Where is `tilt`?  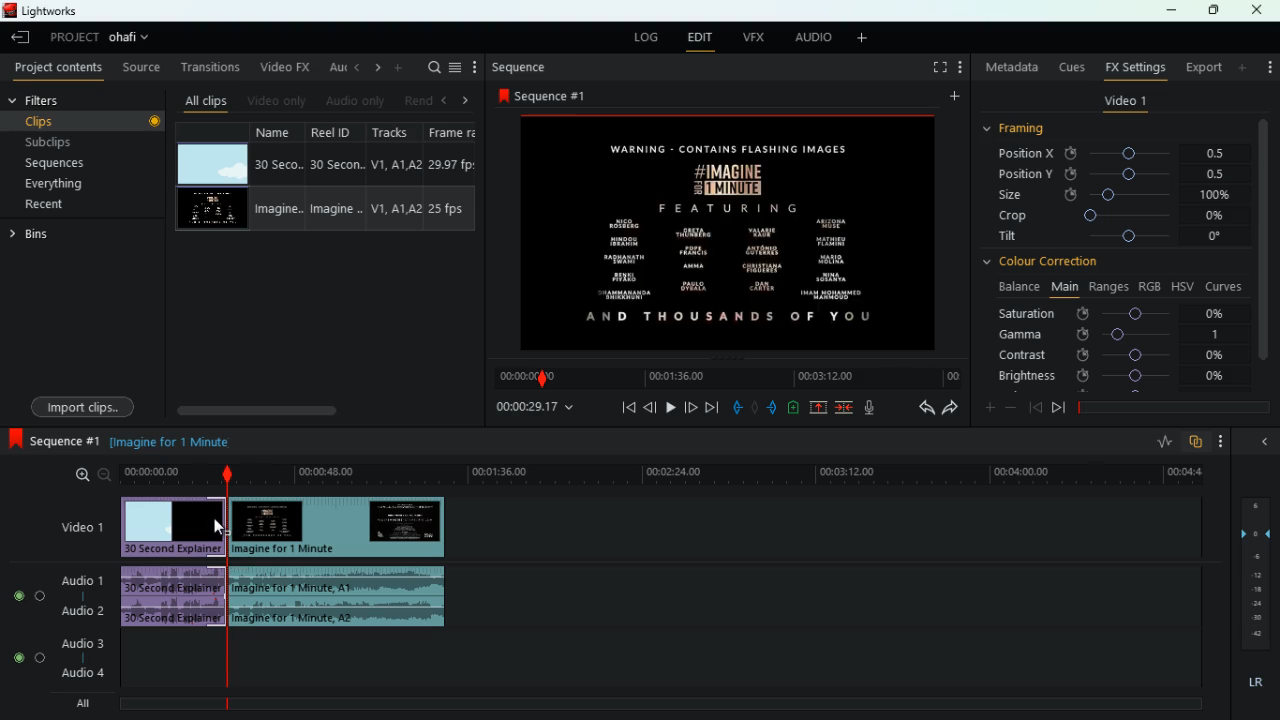 tilt is located at coordinates (1113, 238).